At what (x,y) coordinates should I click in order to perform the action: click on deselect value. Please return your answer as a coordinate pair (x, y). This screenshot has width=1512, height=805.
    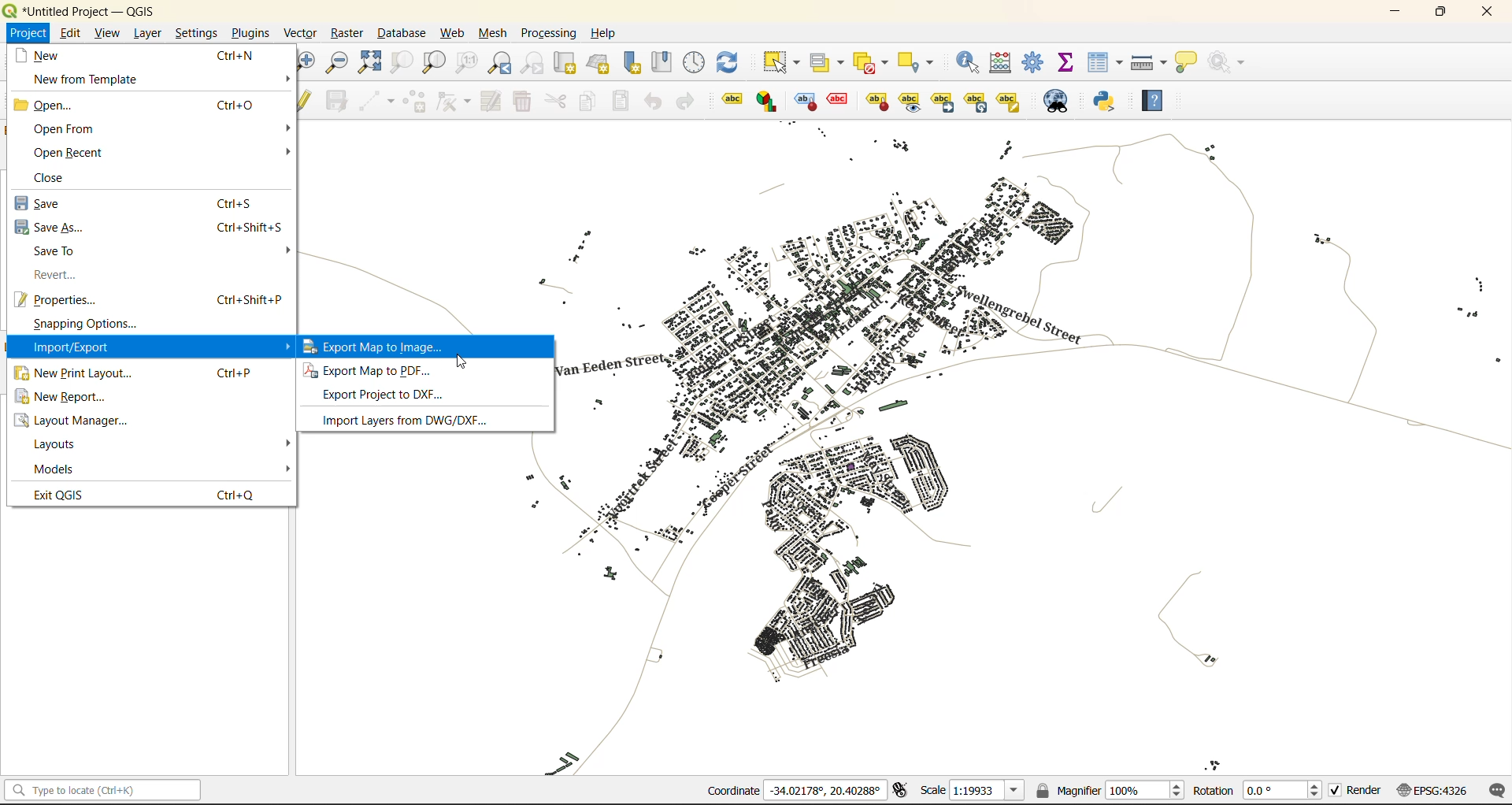
    Looking at the image, I should click on (877, 61).